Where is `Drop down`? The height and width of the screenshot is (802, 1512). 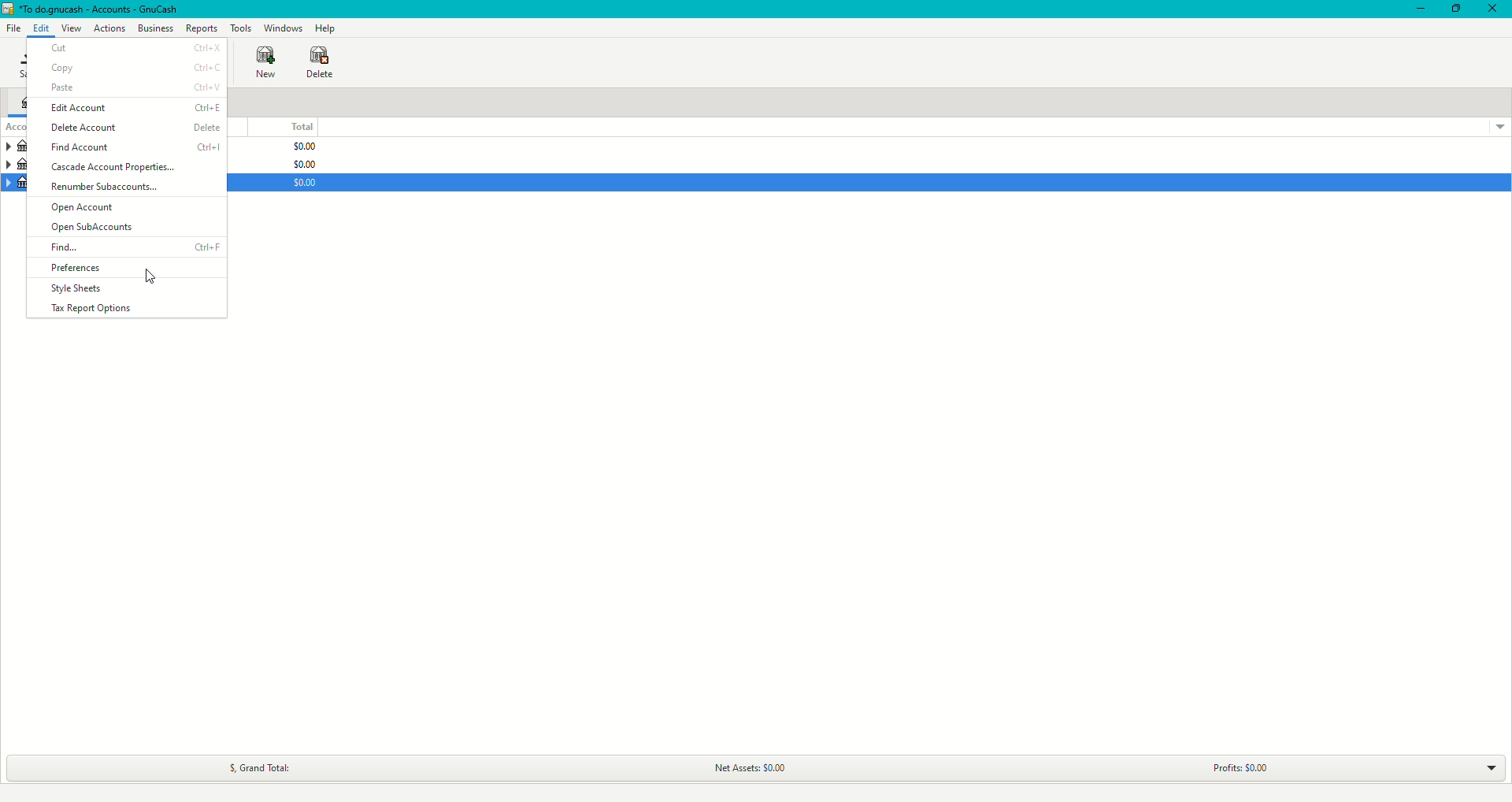 Drop down is located at coordinates (1488, 768).